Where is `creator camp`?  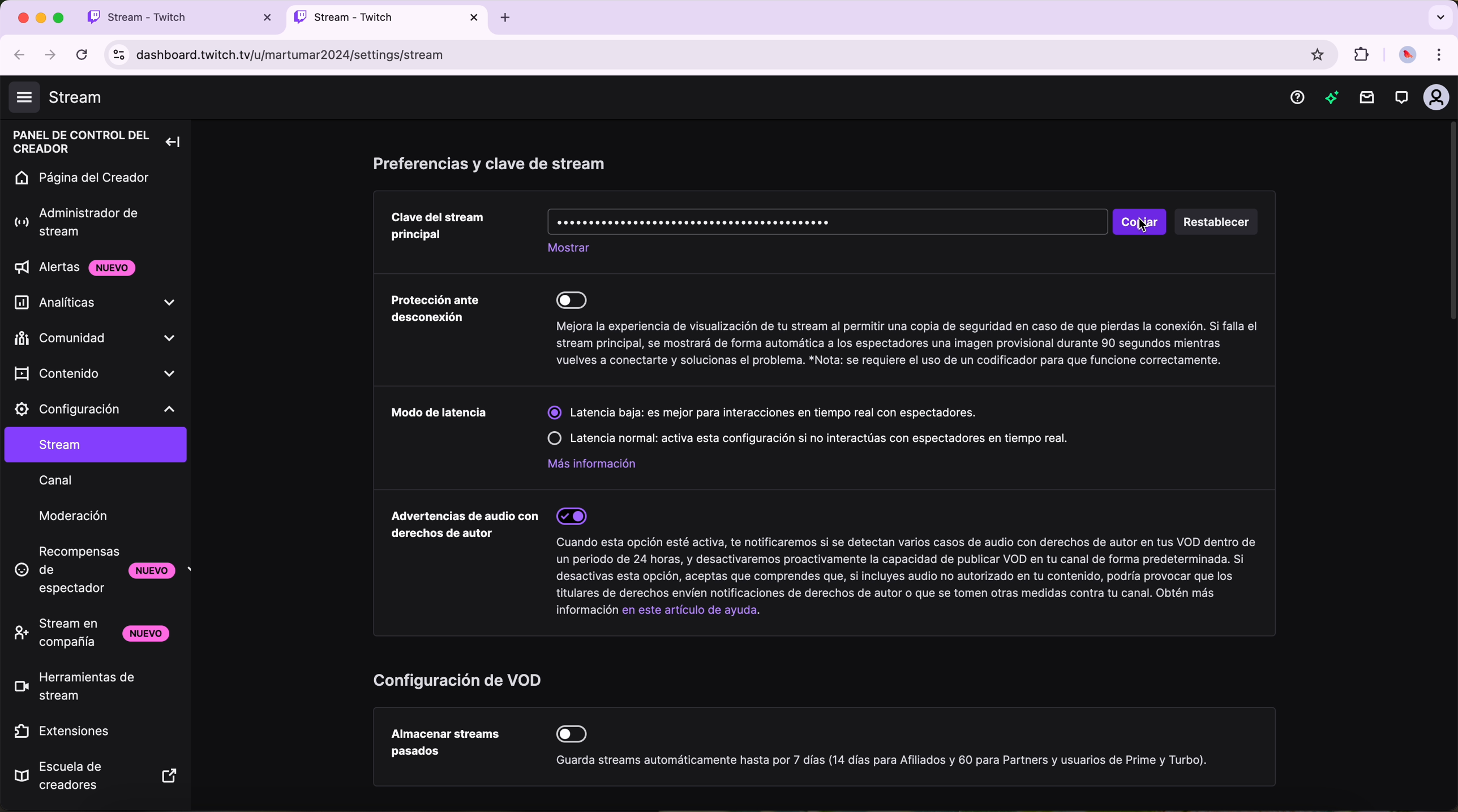 creator camp is located at coordinates (90, 779).